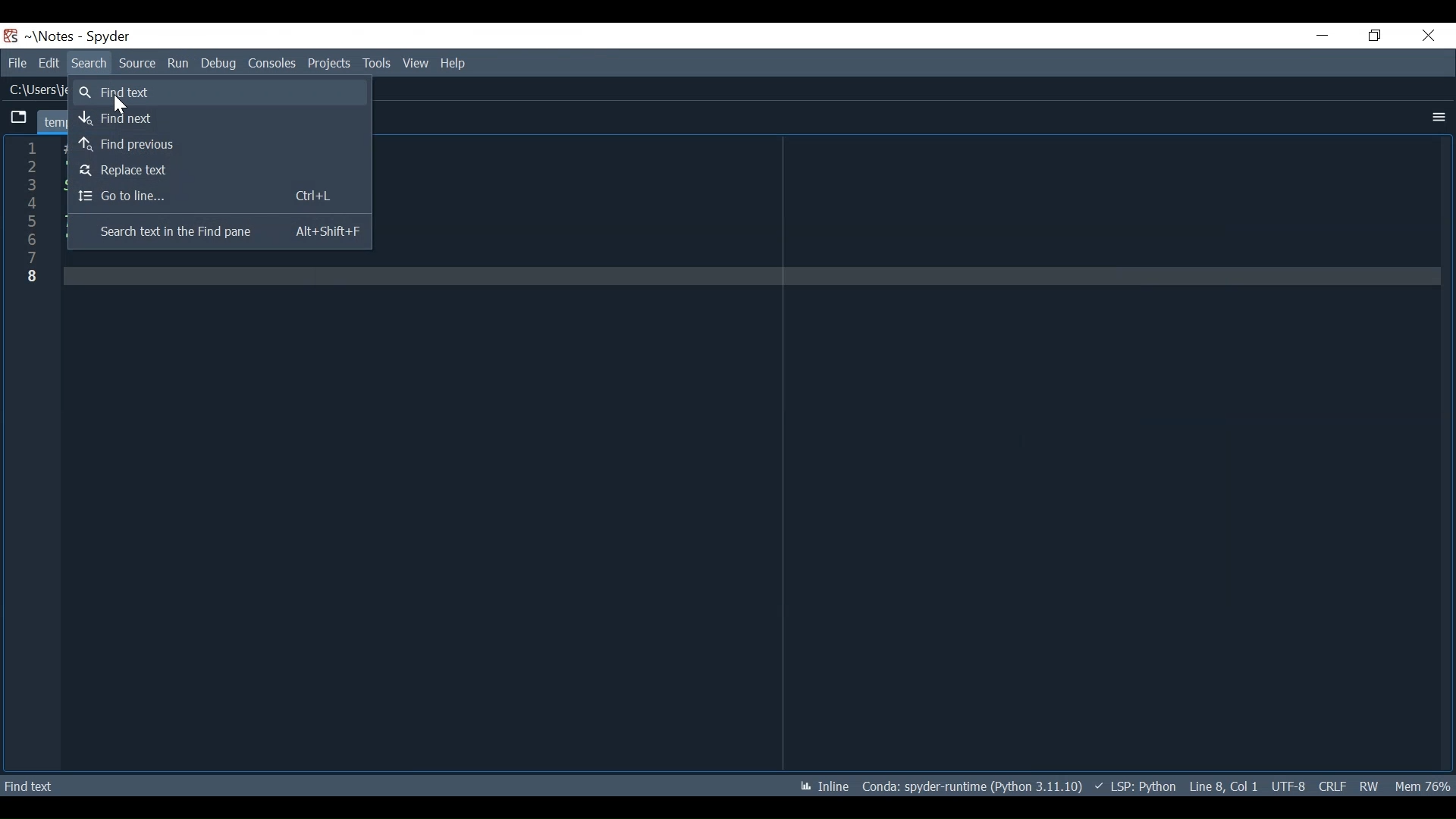 Image resolution: width=1456 pixels, height=819 pixels. What do you see at coordinates (15, 118) in the screenshot?
I see `Browse tab` at bounding box center [15, 118].